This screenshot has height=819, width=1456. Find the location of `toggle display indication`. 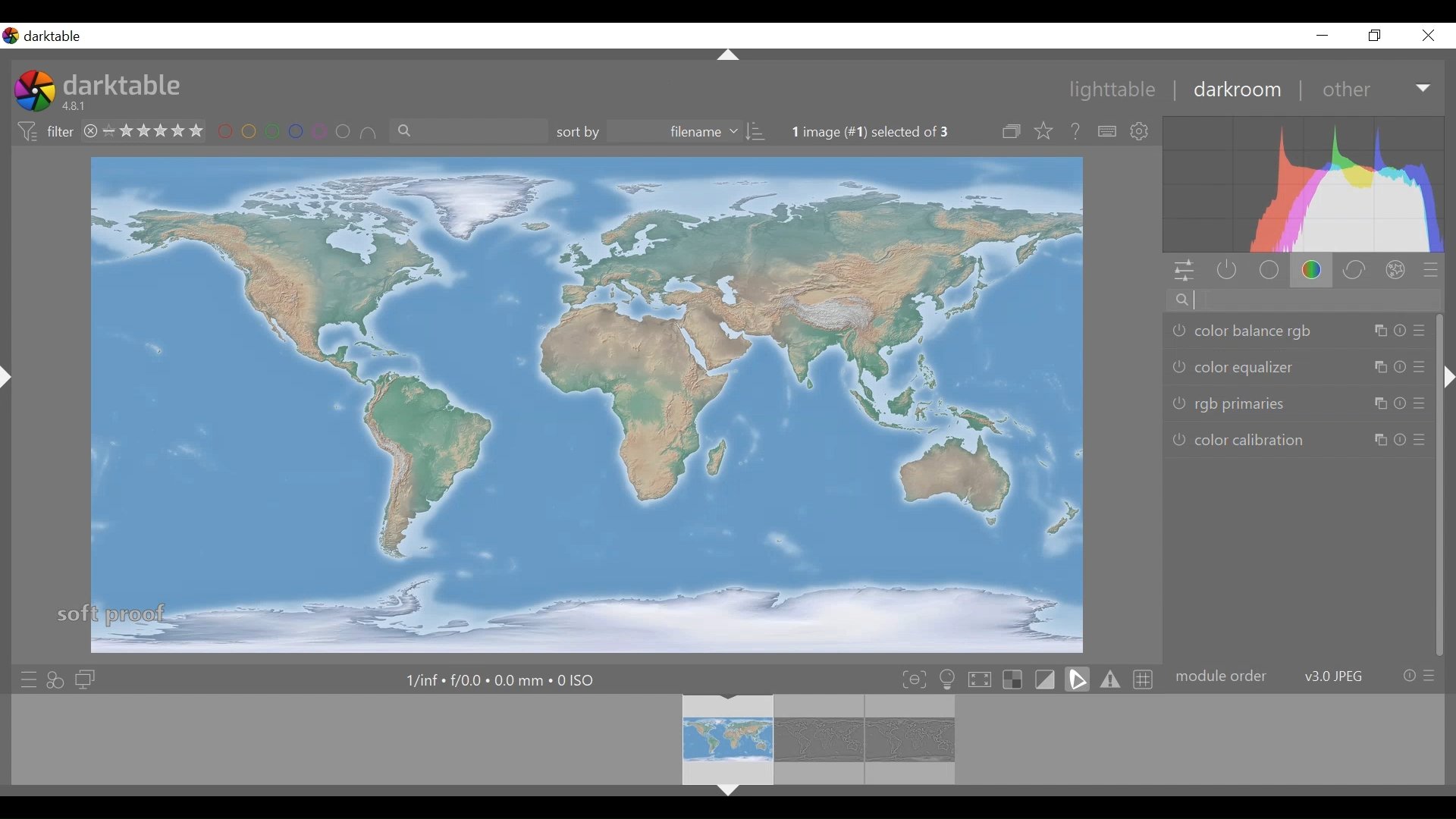

toggle display indication is located at coordinates (1047, 679).